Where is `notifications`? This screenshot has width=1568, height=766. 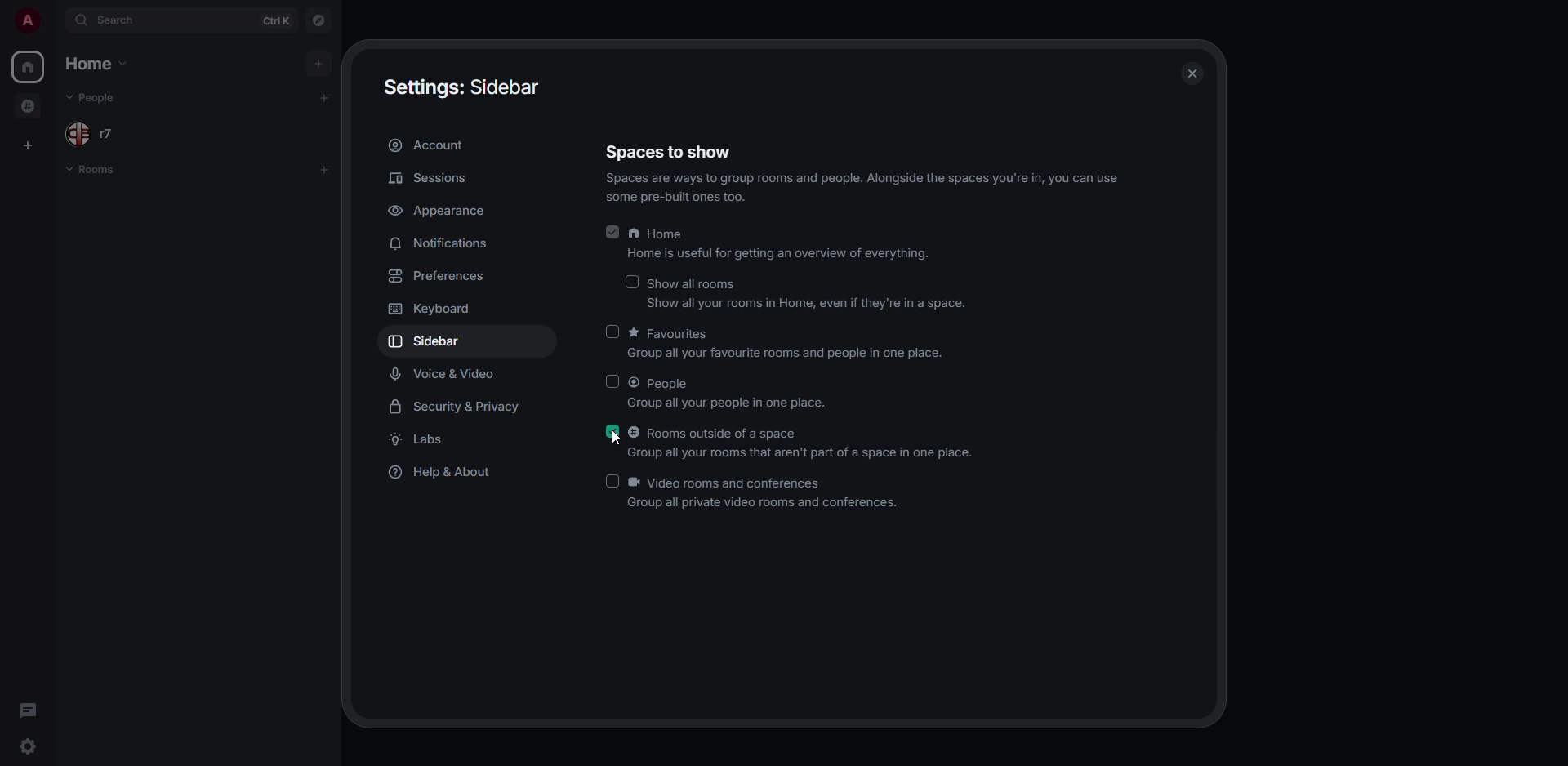 notifications is located at coordinates (441, 243).